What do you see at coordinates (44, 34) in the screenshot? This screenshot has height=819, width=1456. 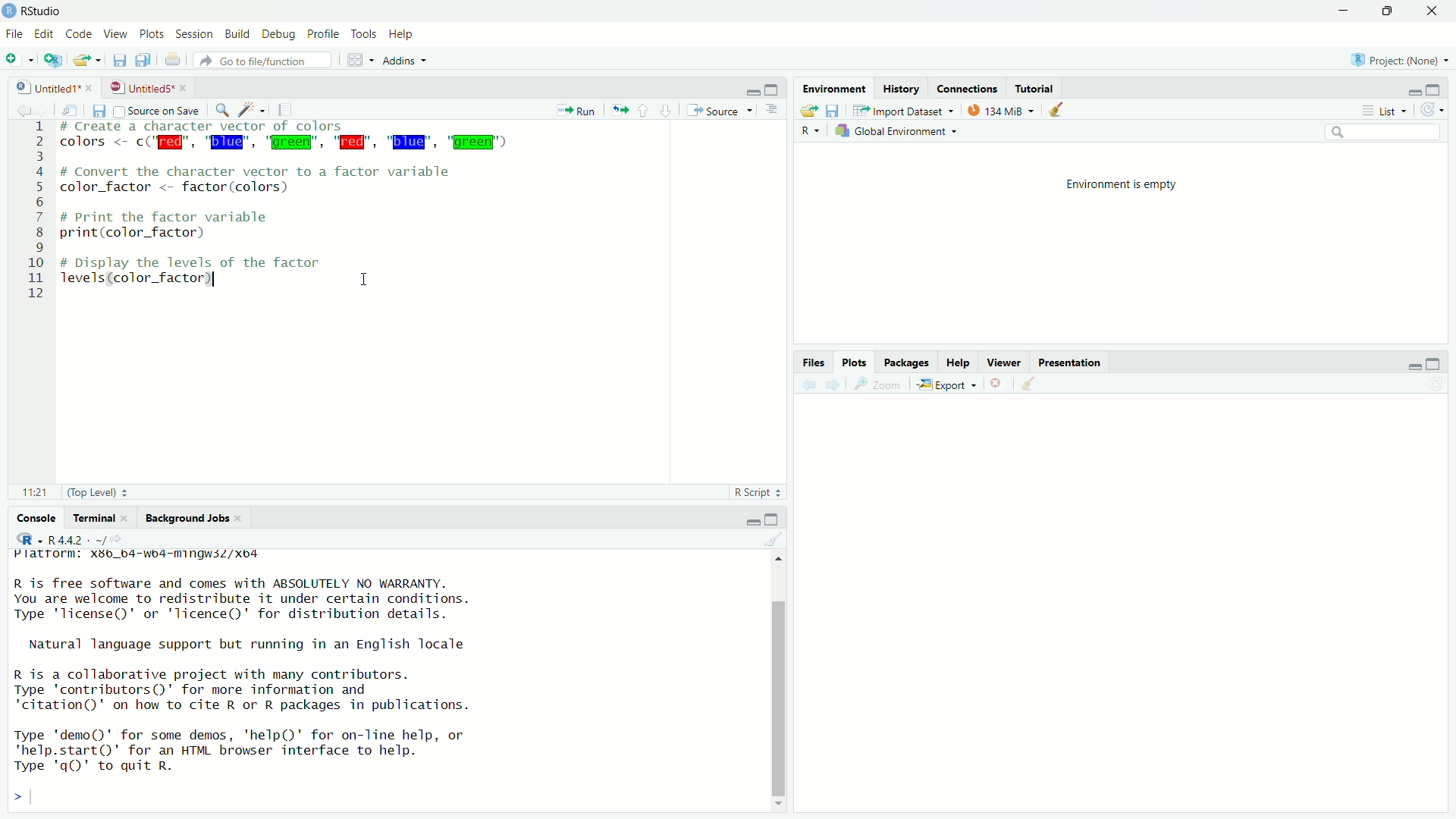 I see `edit` at bounding box center [44, 34].